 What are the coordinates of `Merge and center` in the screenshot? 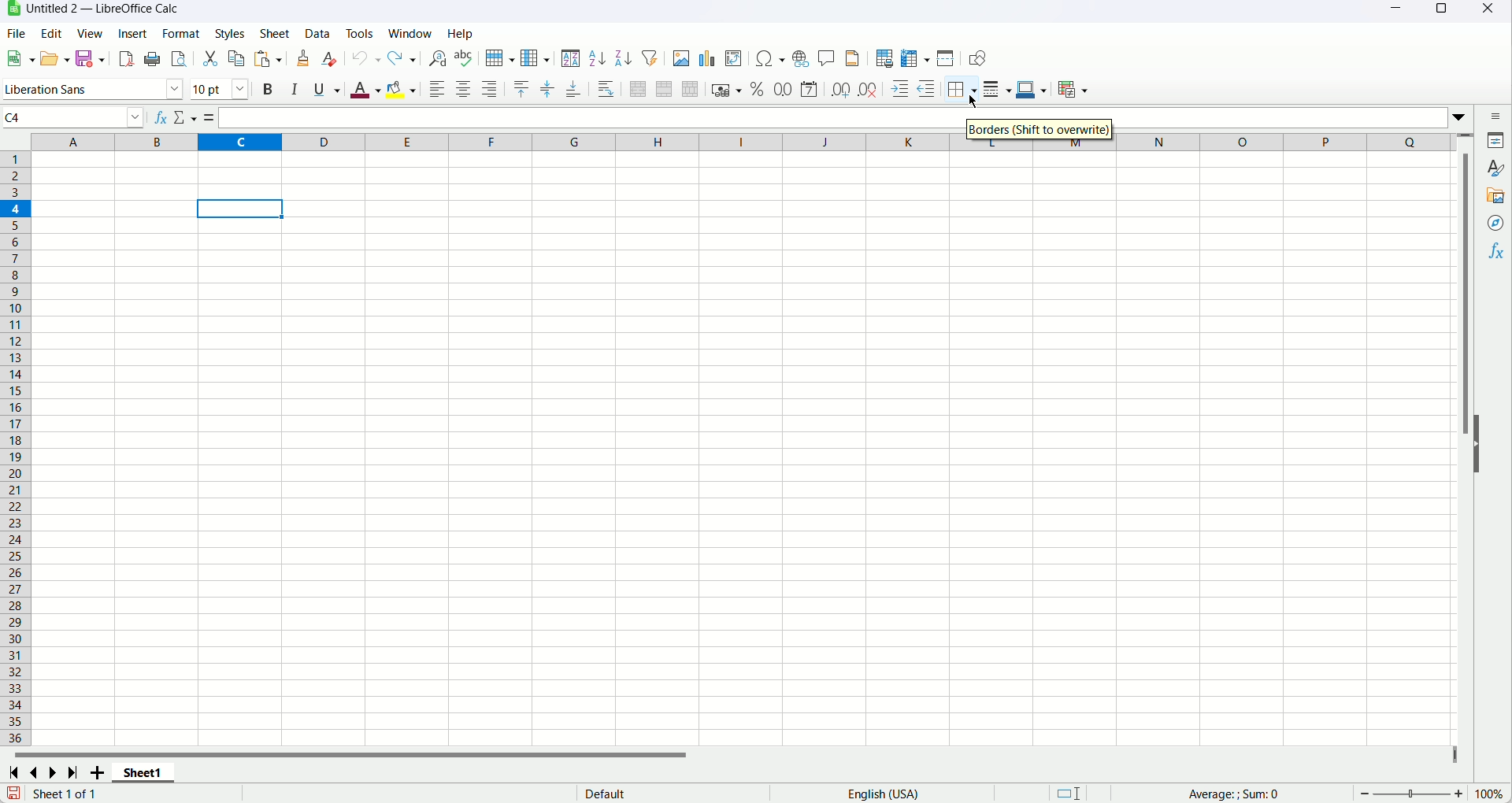 It's located at (638, 89).